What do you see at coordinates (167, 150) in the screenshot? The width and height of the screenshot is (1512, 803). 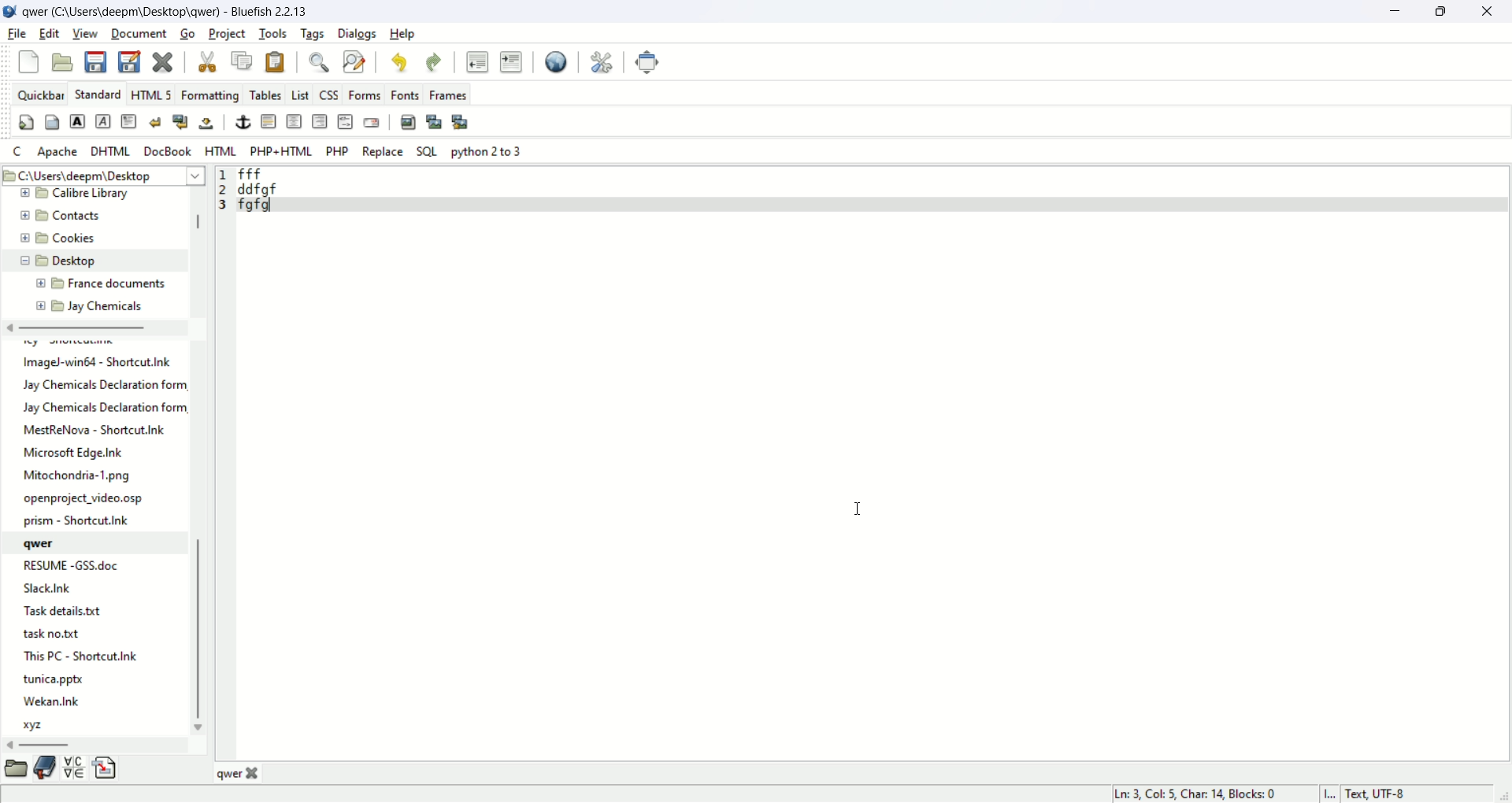 I see `Docbook` at bounding box center [167, 150].